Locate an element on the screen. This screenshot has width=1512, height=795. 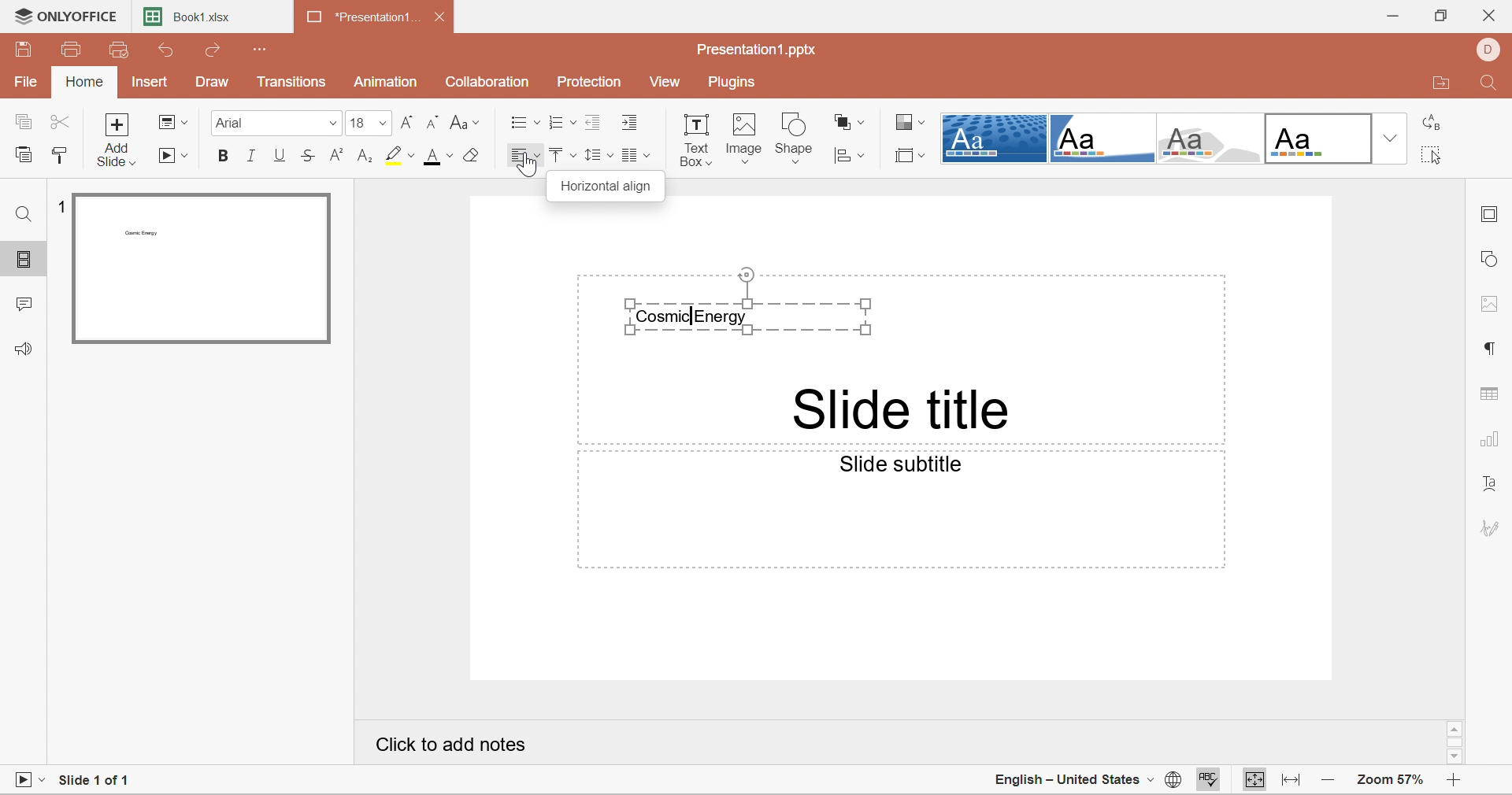
Decrement font size is located at coordinates (433, 124).